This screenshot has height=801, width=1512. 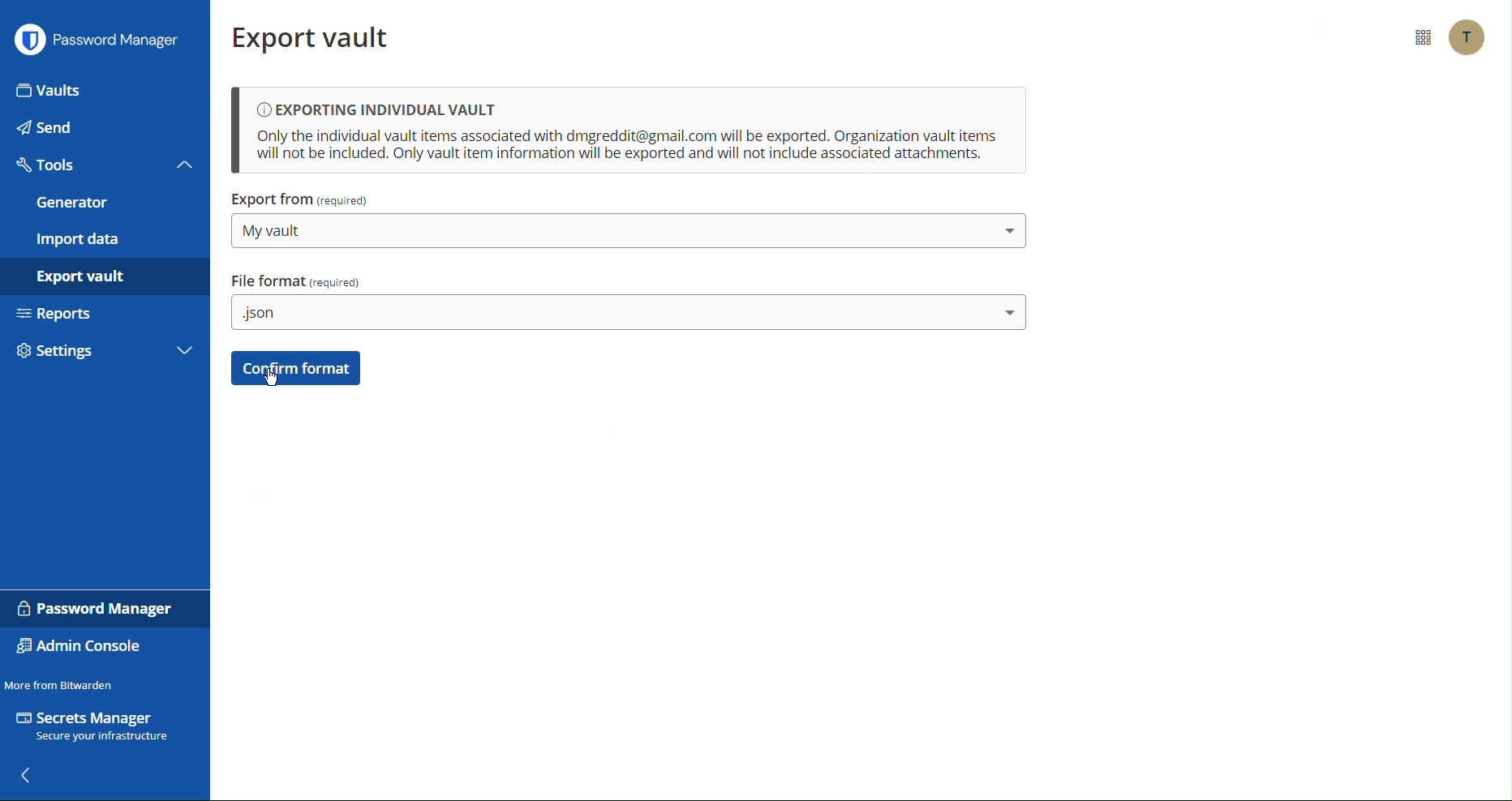 I want to click on Vaults, so click(x=51, y=92).